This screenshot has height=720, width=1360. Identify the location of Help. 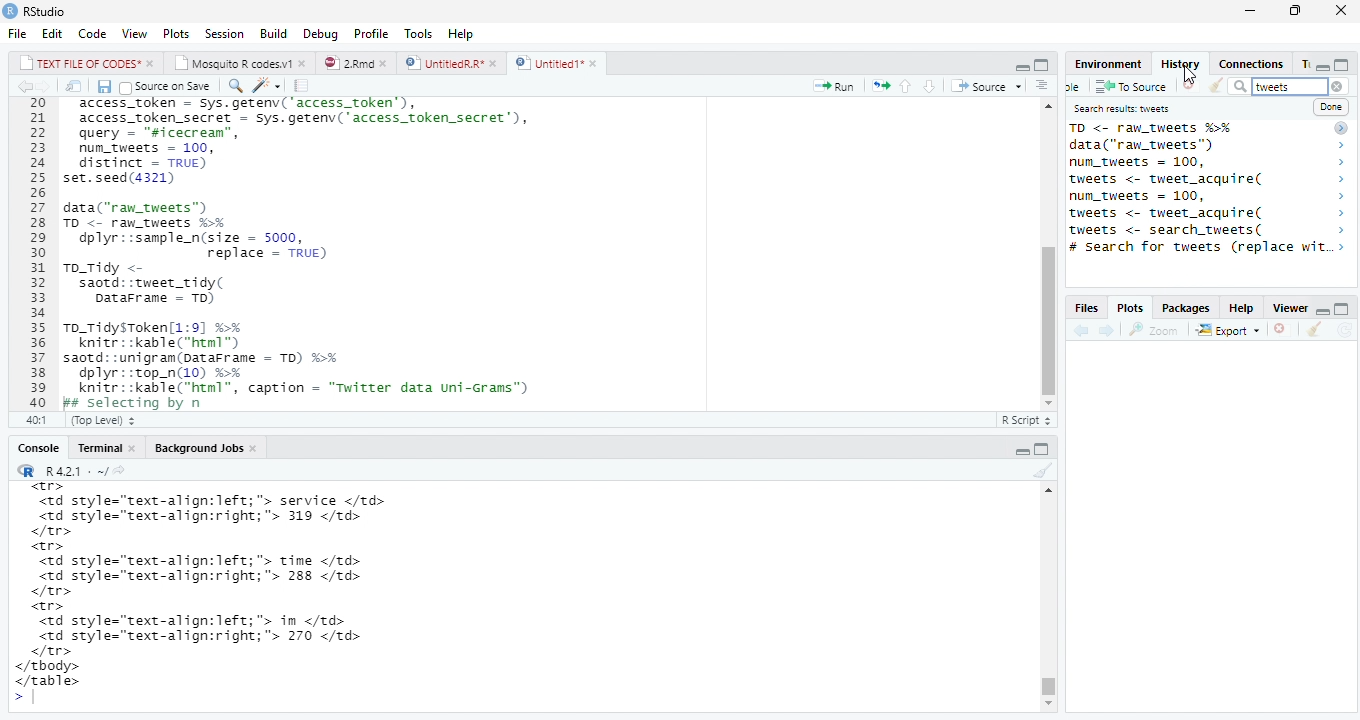
(462, 33).